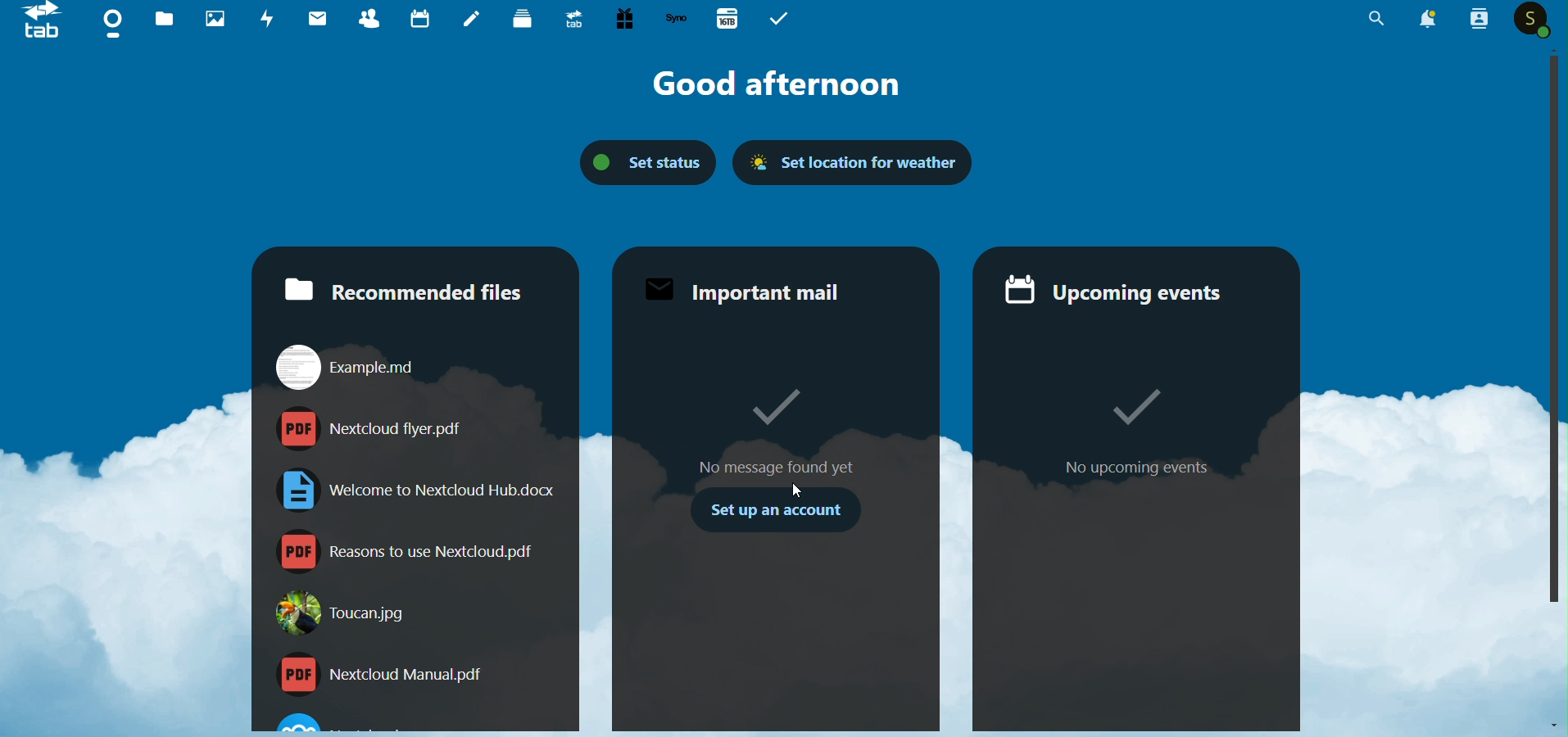 The image size is (1568, 737). Describe the element at coordinates (1530, 20) in the screenshot. I see `User Account` at that location.